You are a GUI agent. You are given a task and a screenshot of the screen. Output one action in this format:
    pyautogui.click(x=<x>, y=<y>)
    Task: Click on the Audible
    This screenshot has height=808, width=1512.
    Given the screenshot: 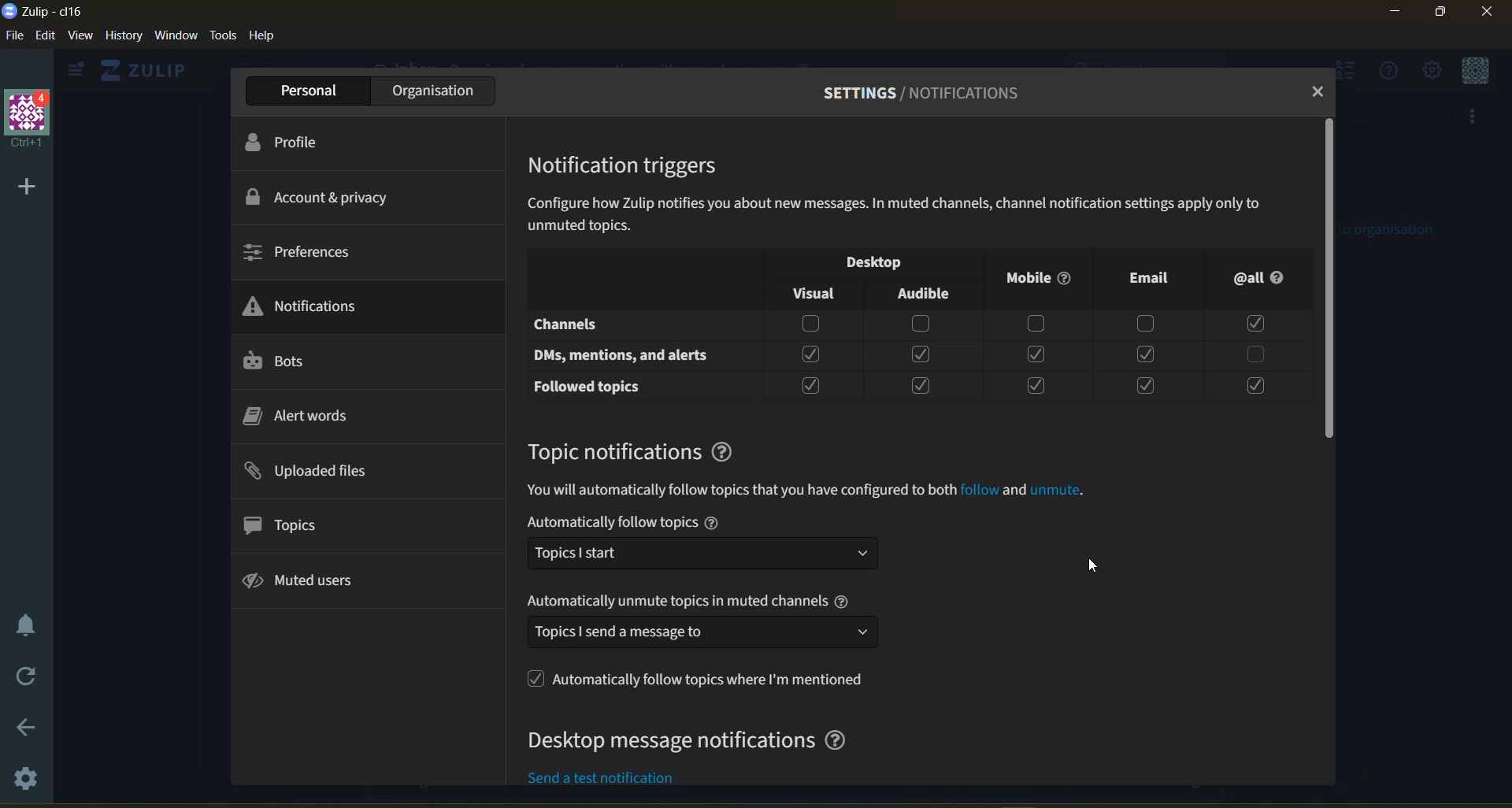 What is the action you would take?
    pyautogui.click(x=927, y=295)
    